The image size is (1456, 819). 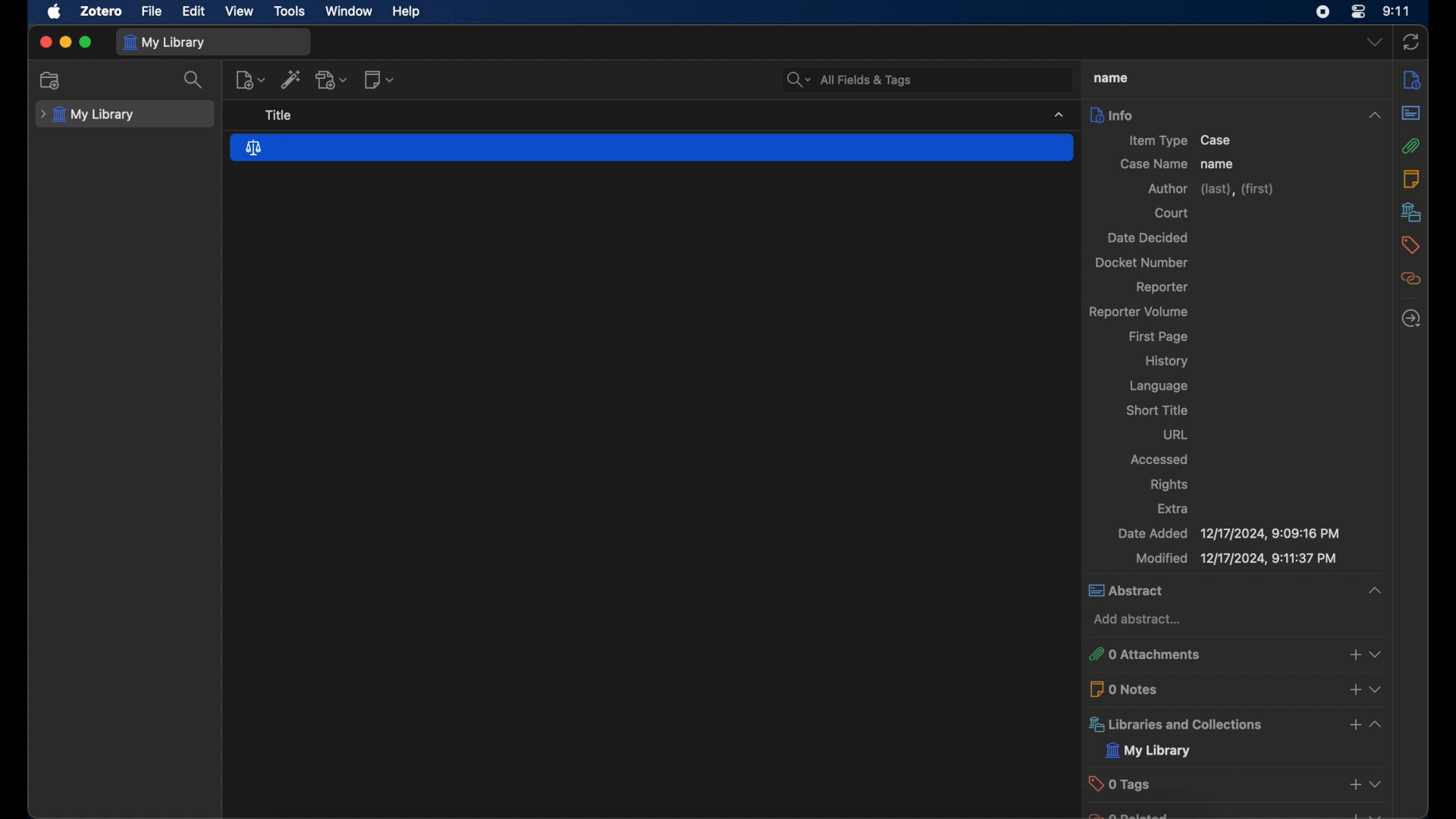 I want to click on minimize, so click(x=65, y=42).